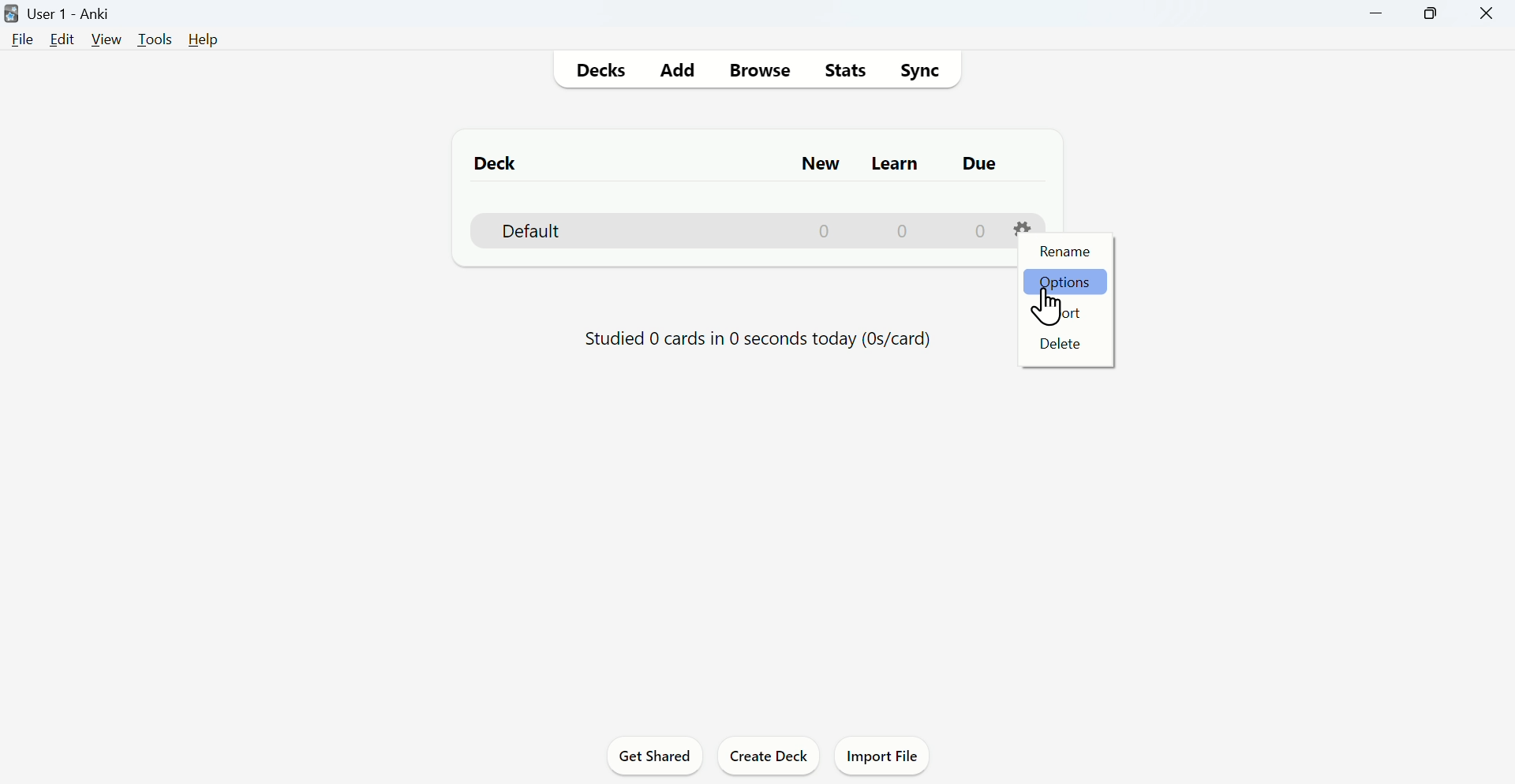  I want to click on Sync, so click(919, 70).